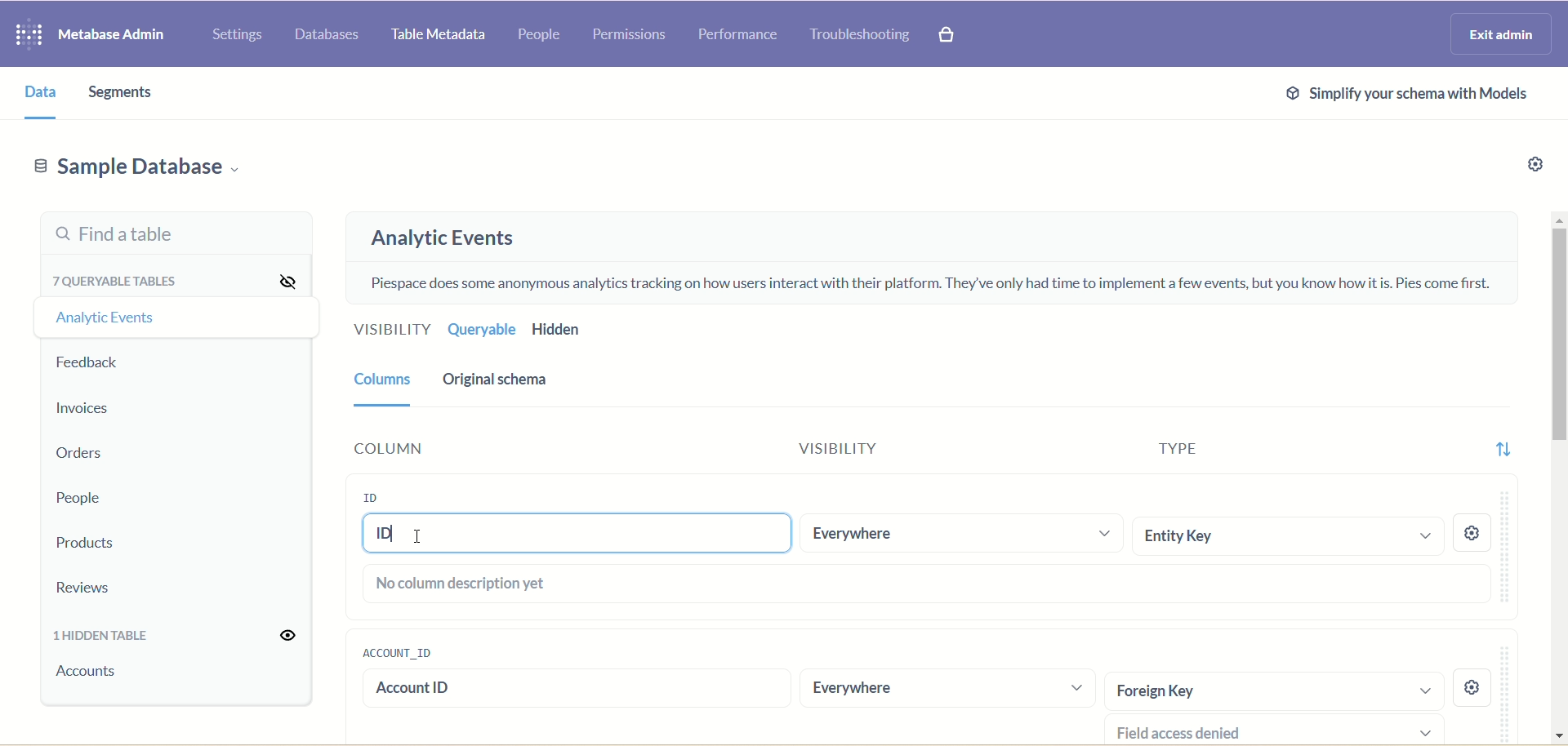  Describe the element at coordinates (462, 451) in the screenshot. I see `Column` at that location.